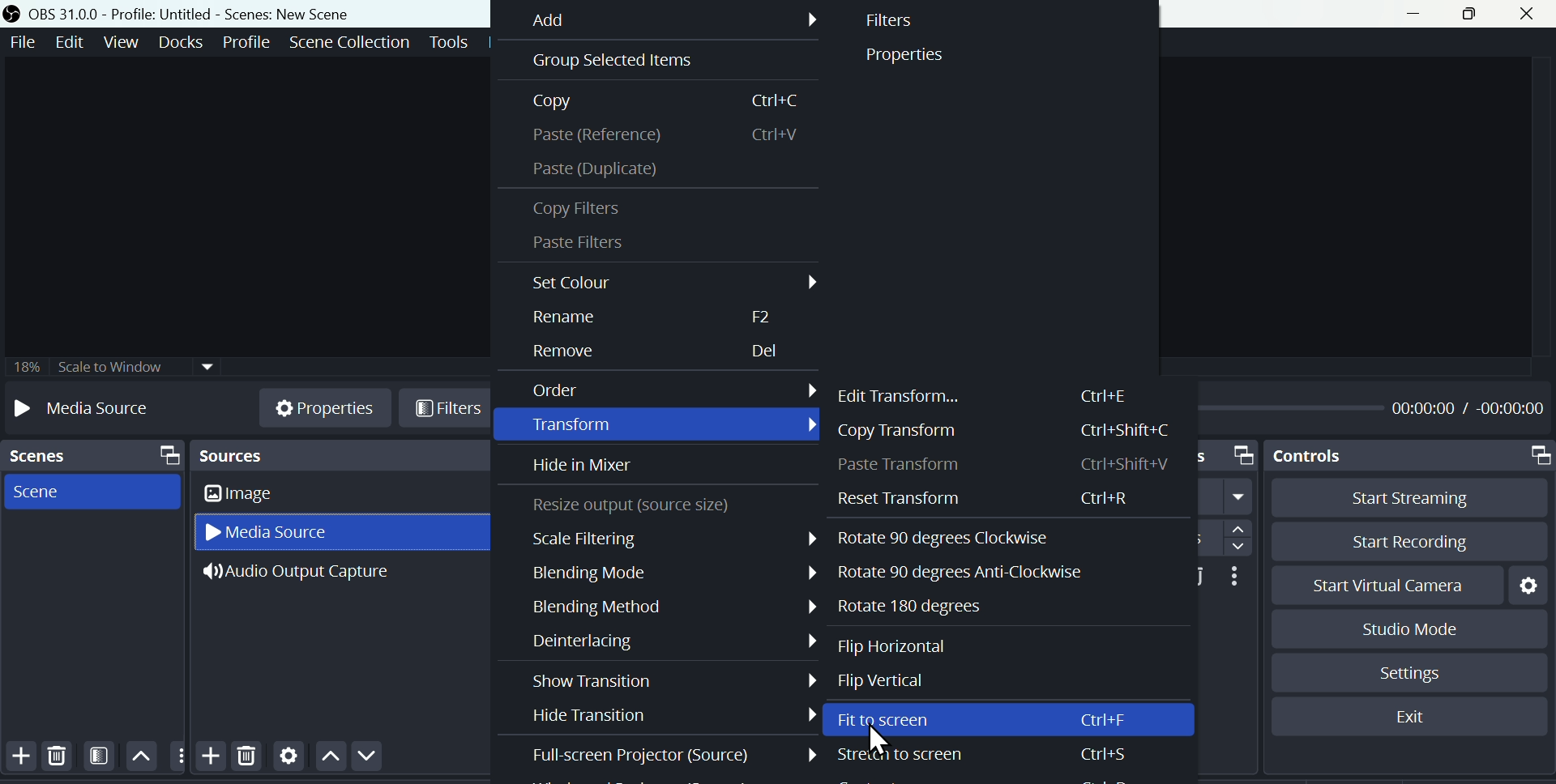 This screenshot has width=1556, height=784. I want to click on Flip vertical, so click(890, 683).